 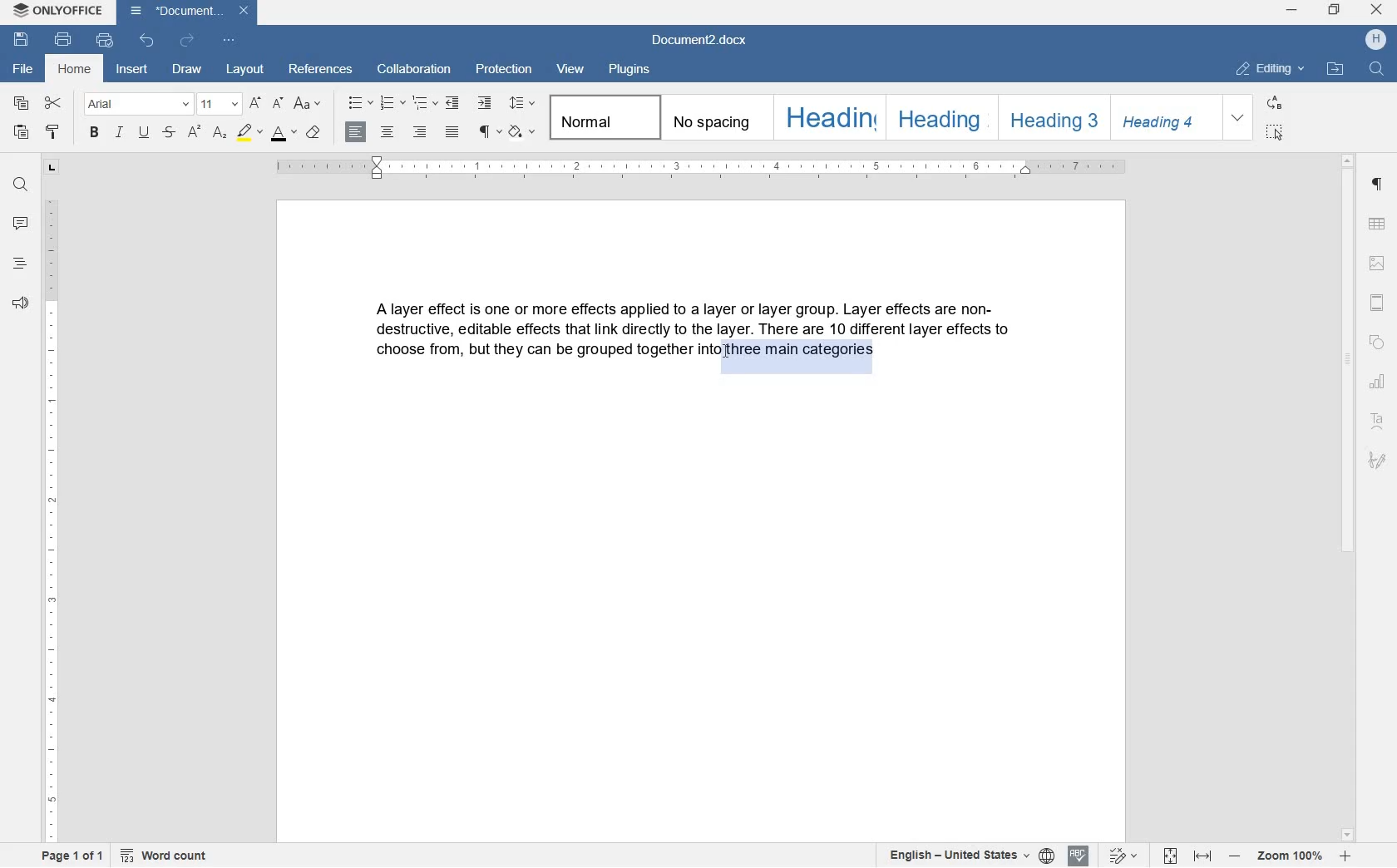 What do you see at coordinates (65, 41) in the screenshot?
I see `print` at bounding box center [65, 41].